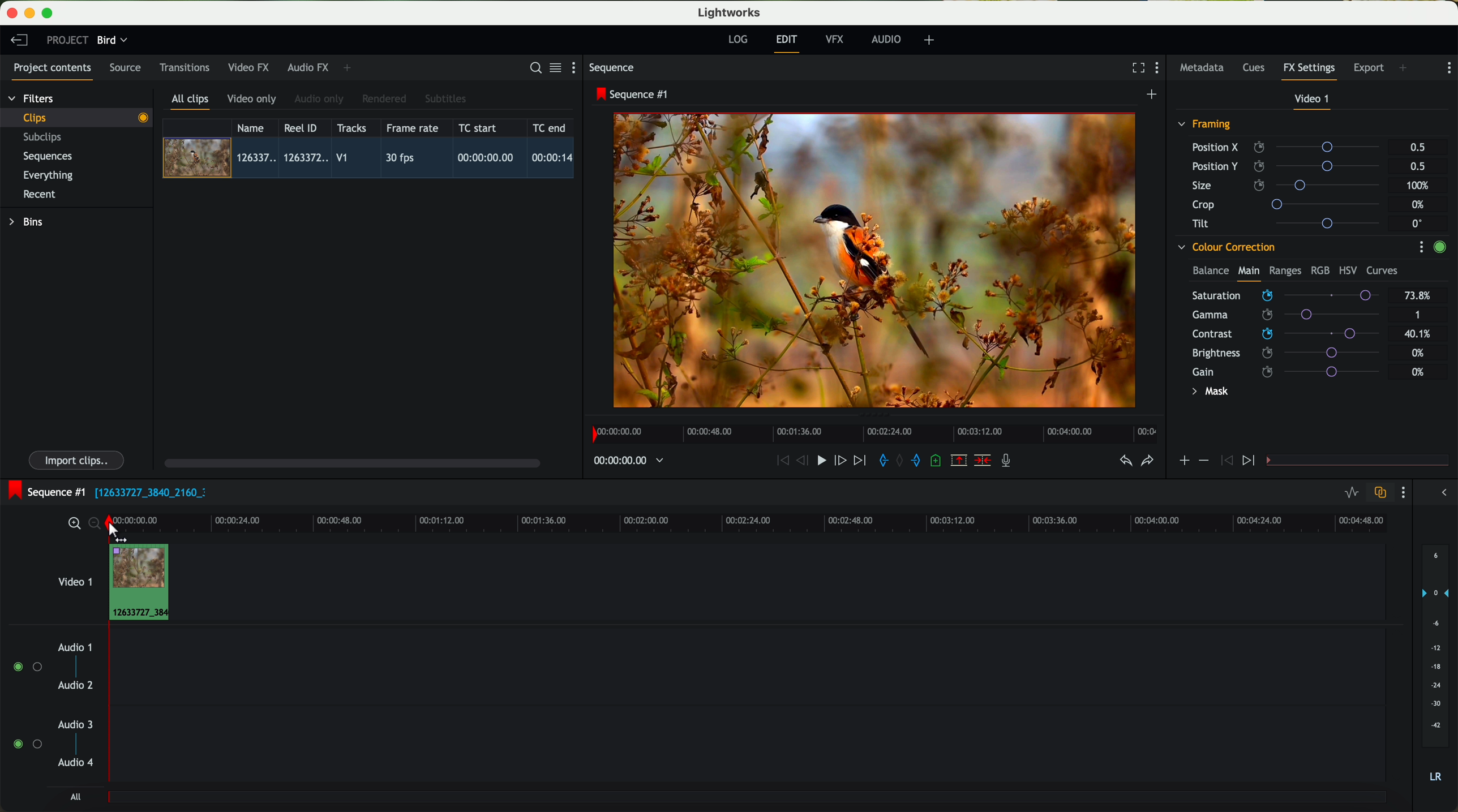  What do you see at coordinates (1225, 461) in the screenshot?
I see `icon` at bounding box center [1225, 461].